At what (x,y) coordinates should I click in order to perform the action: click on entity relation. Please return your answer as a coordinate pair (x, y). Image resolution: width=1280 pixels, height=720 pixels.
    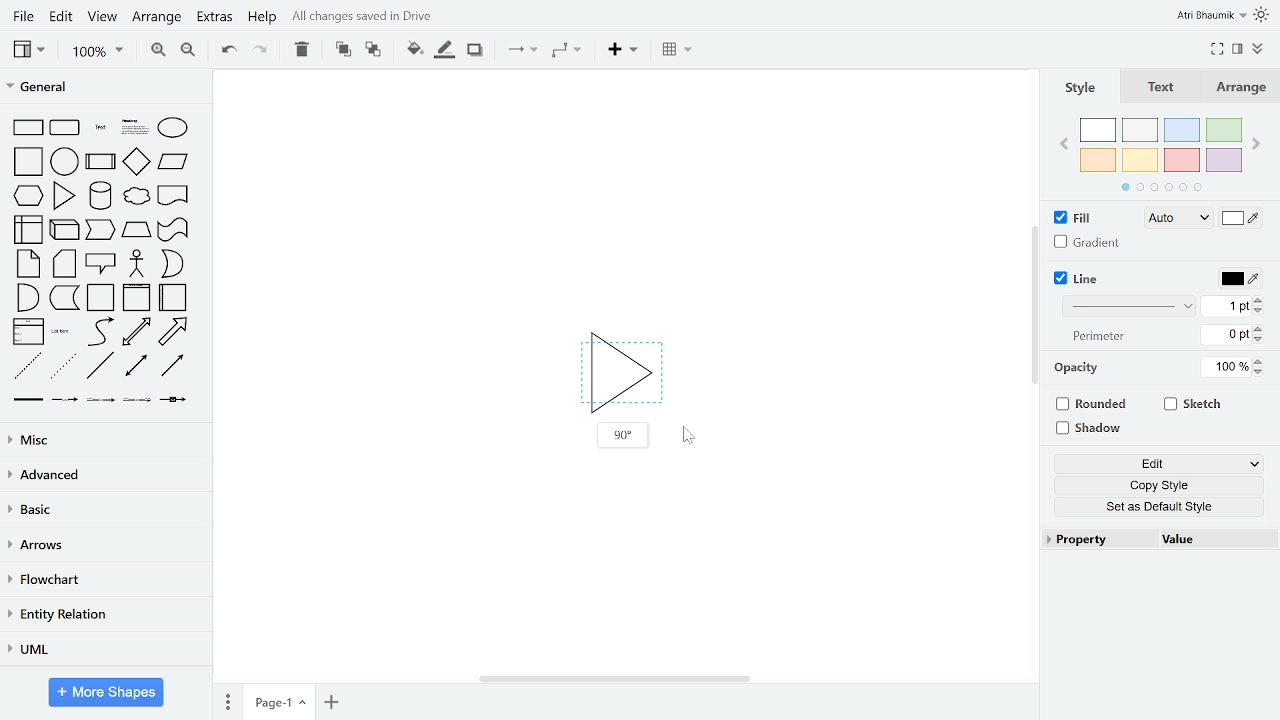
    Looking at the image, I should click on (103, 614).